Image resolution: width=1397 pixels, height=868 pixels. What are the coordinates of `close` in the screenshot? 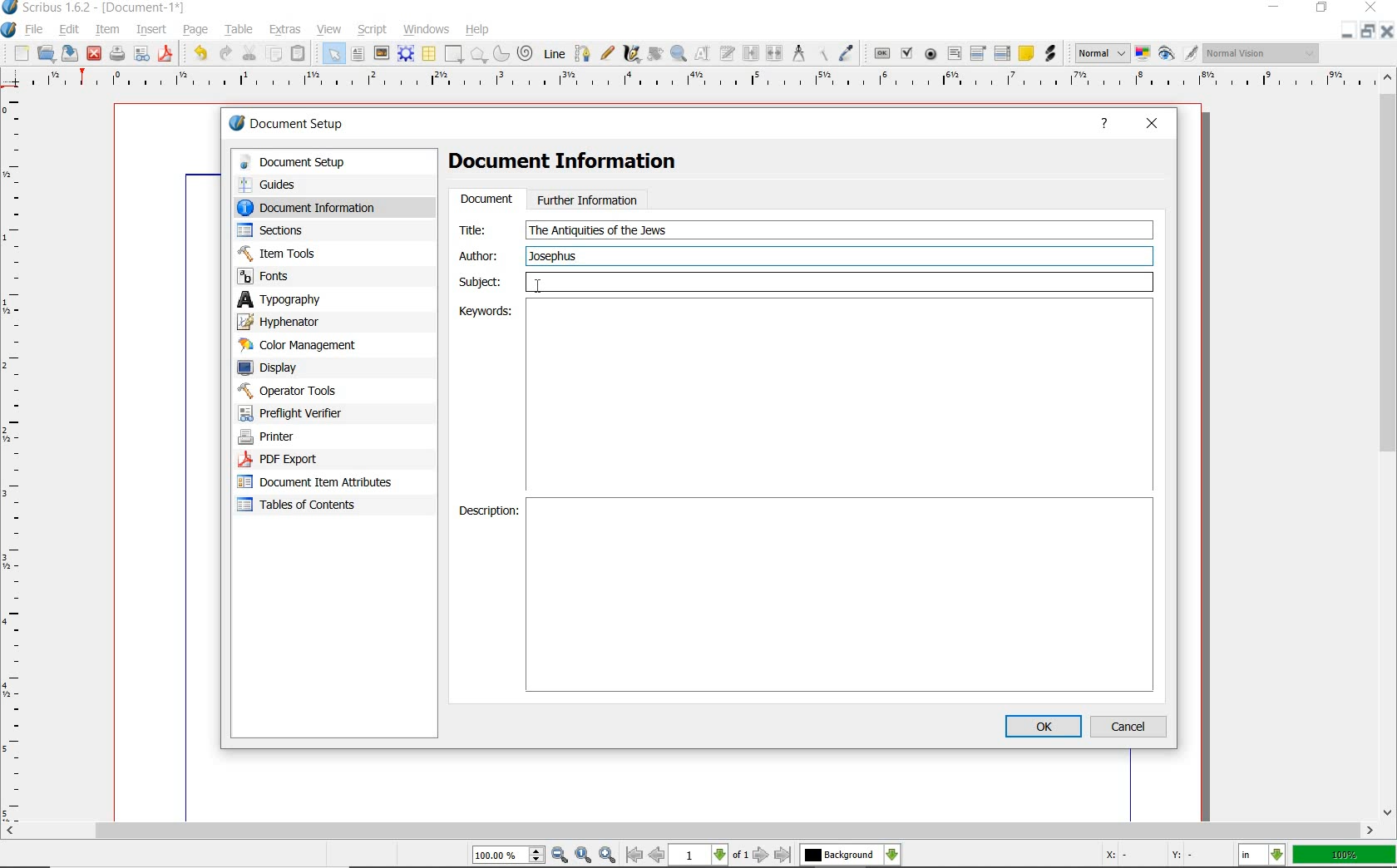 It's located at (1153, 125).